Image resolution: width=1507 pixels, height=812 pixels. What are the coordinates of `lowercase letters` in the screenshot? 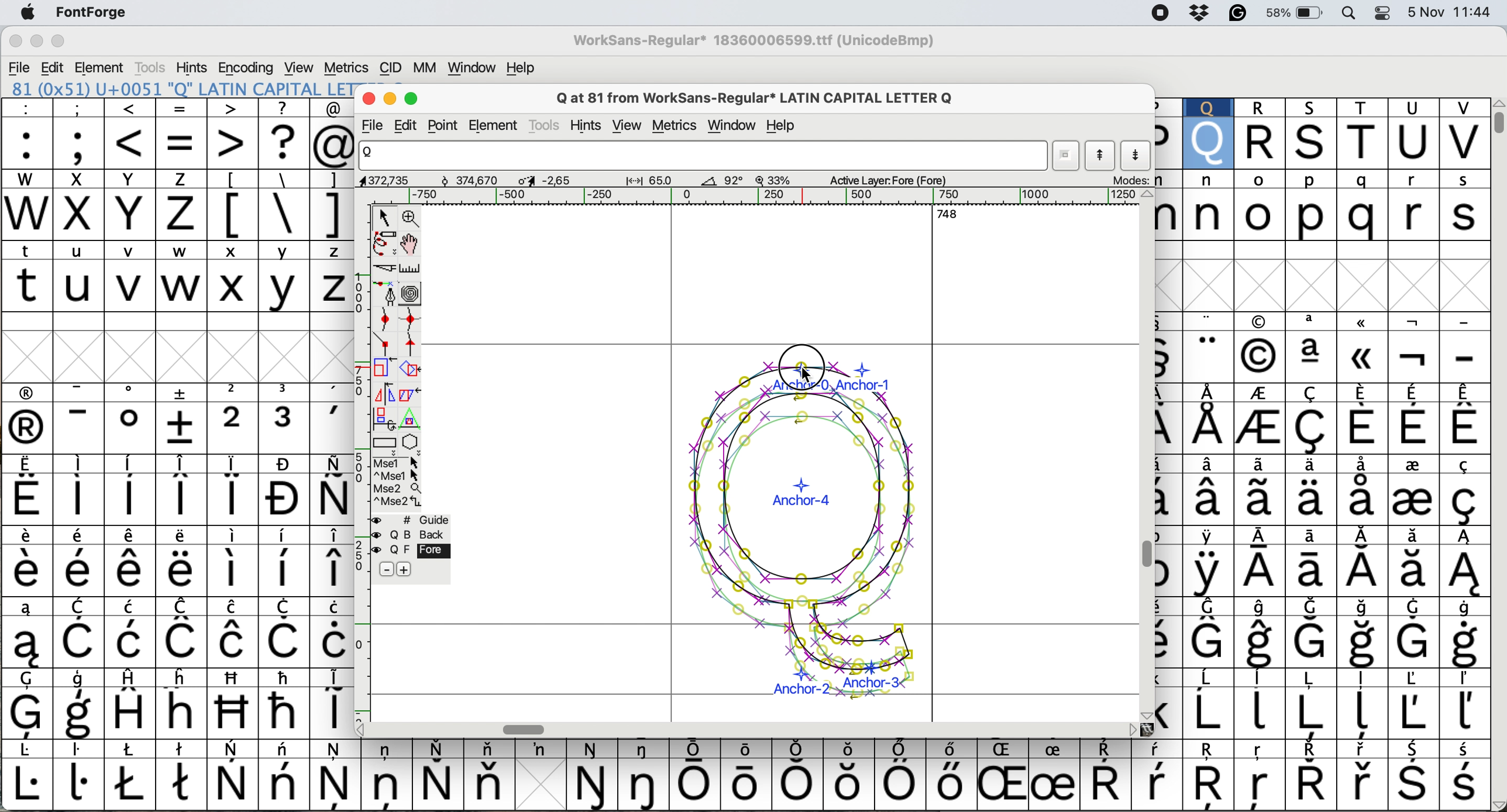 It's located at (180, 253).